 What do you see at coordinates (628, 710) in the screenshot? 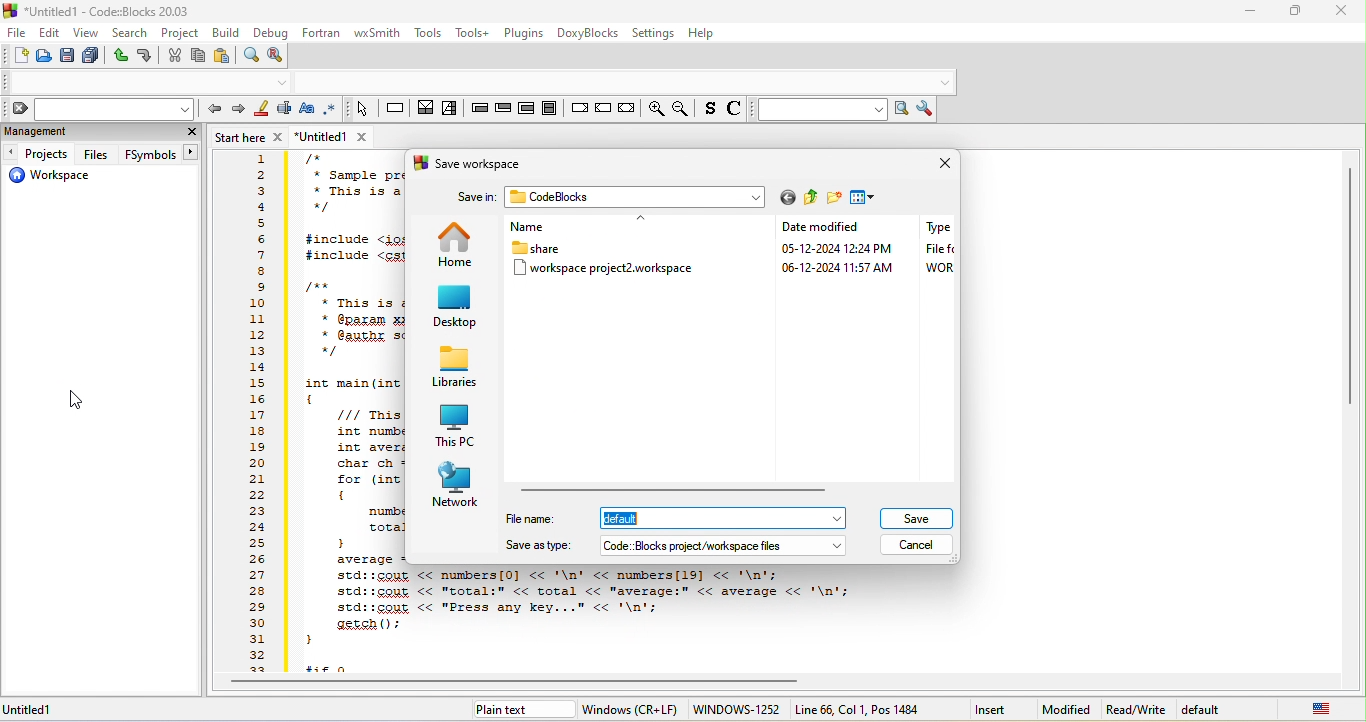
I see `windows` at bounding box center [628, 710].